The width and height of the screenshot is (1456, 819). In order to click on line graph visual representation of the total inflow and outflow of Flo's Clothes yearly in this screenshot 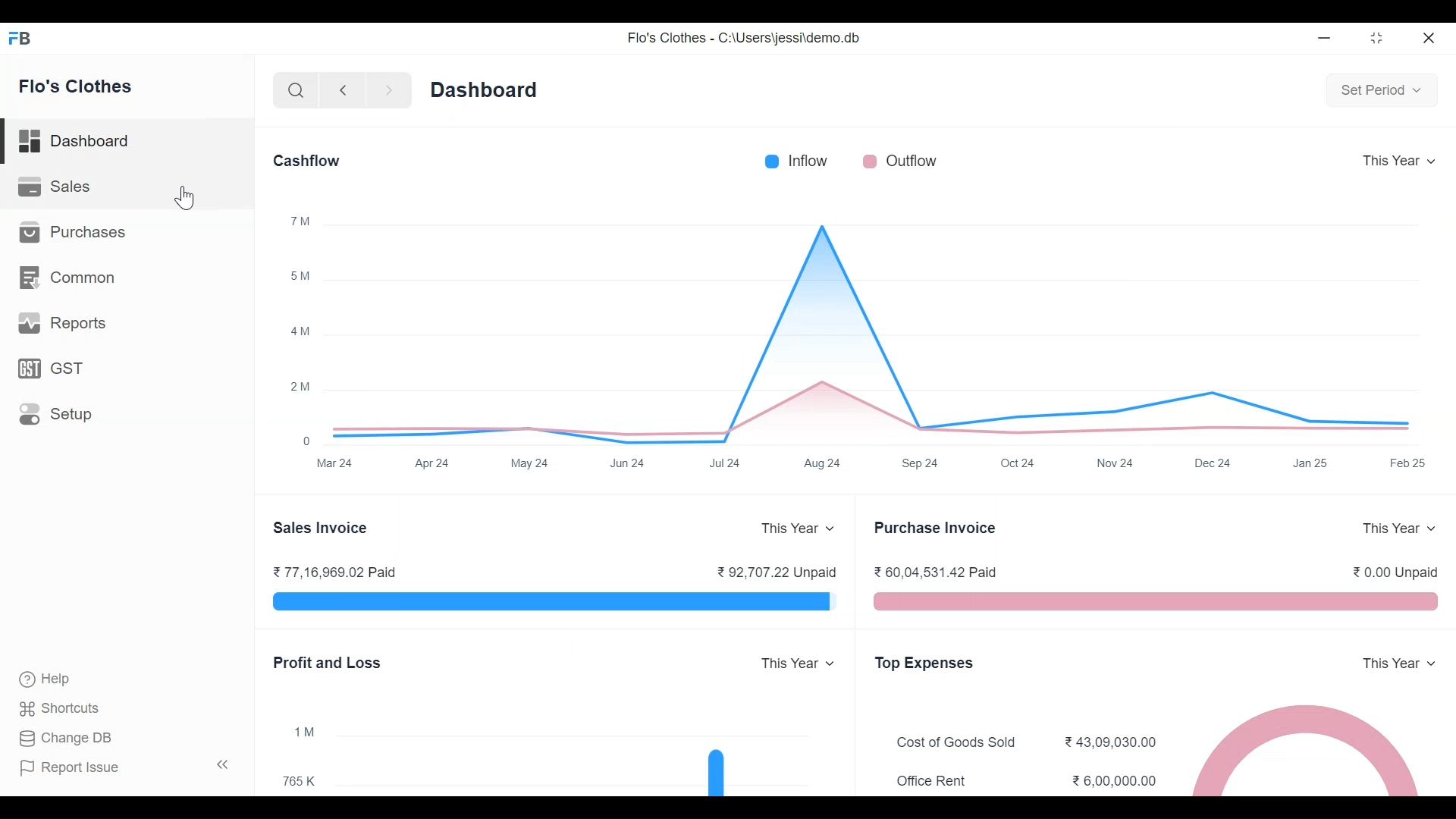, I will do `click(874, 333)`.